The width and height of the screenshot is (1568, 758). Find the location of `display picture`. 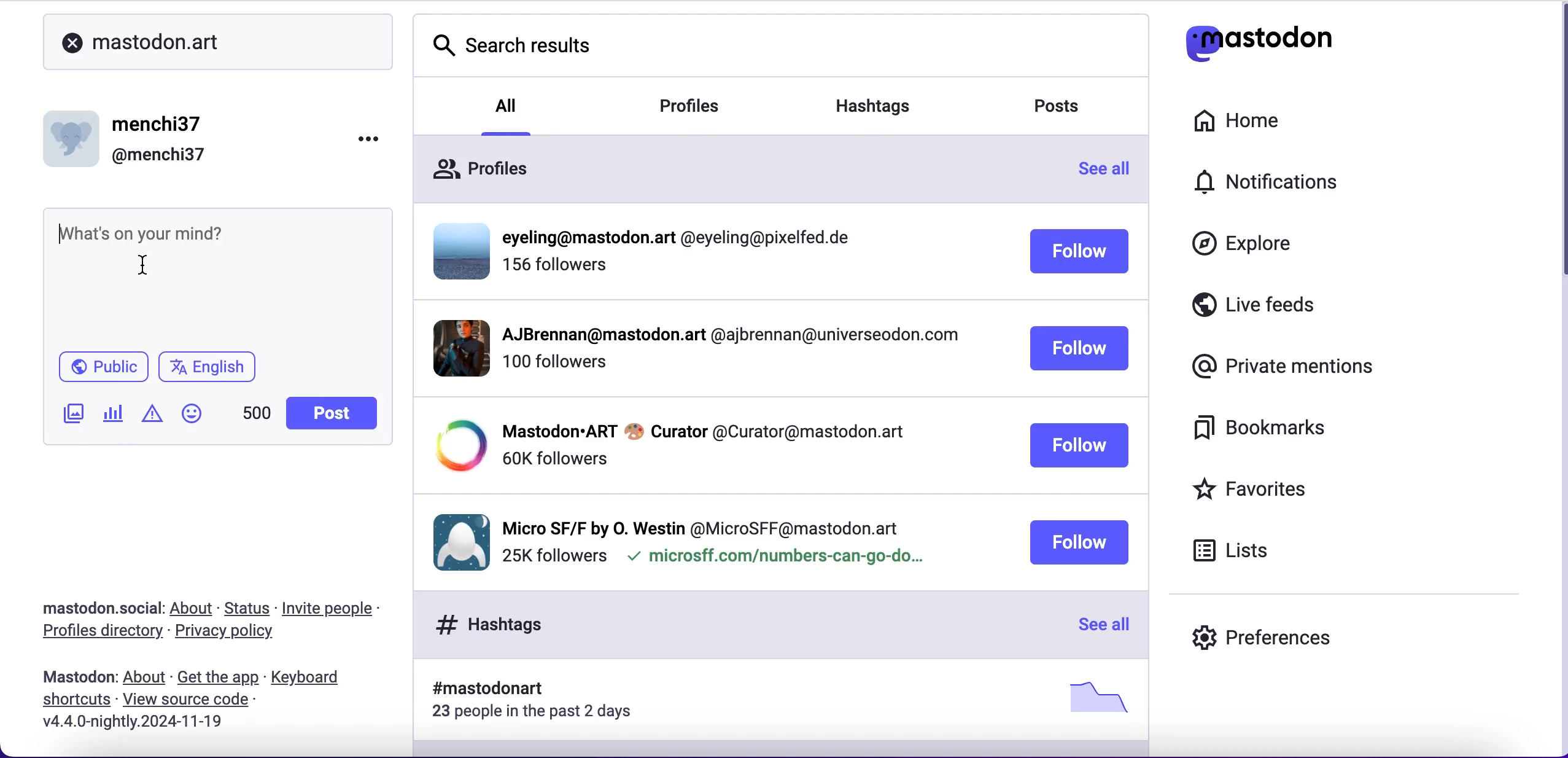

display picture is located at coordinates (456, 446).